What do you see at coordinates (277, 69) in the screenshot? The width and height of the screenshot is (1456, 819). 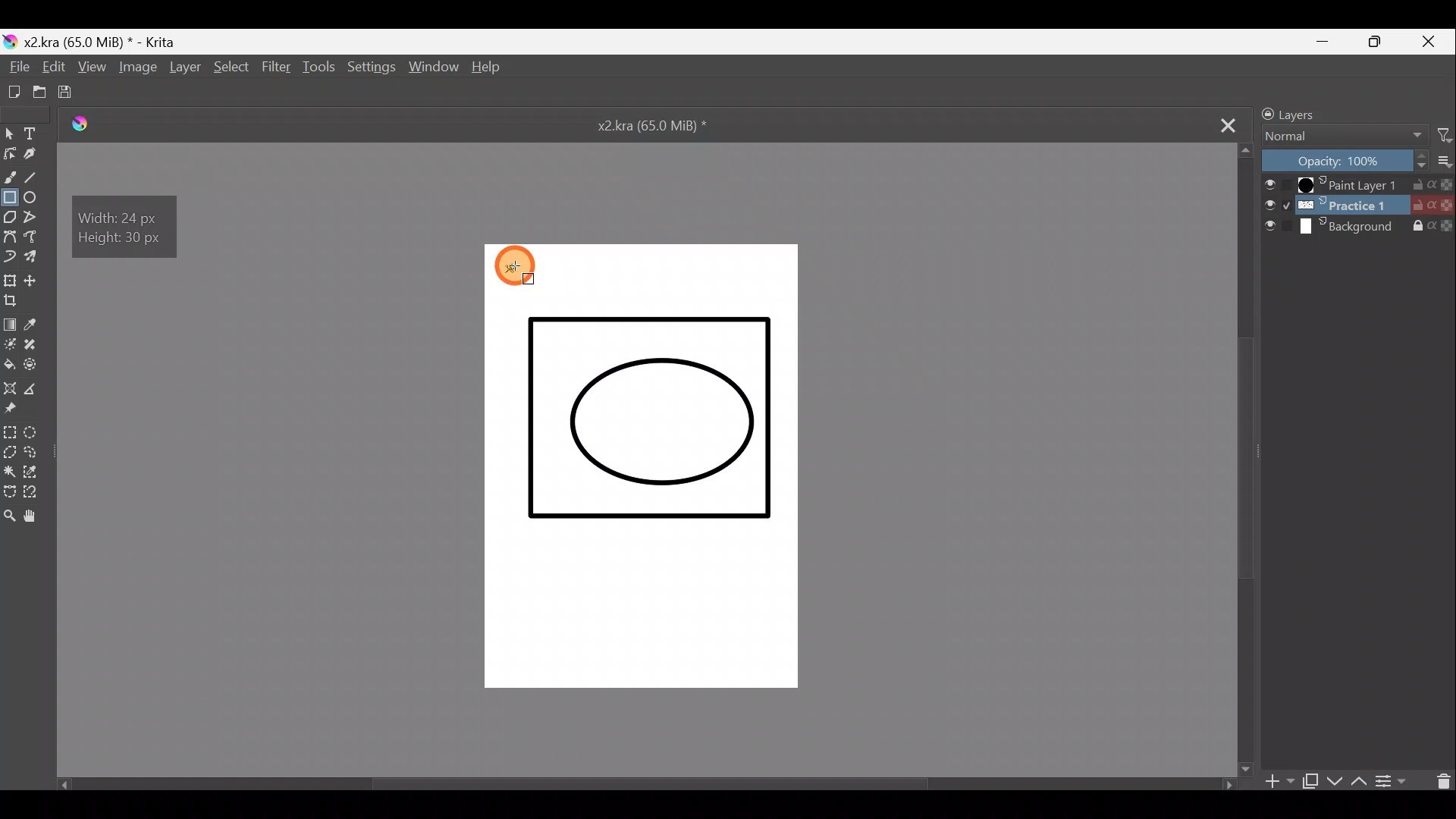 I see `Filter` at bounding box center [277, 69].